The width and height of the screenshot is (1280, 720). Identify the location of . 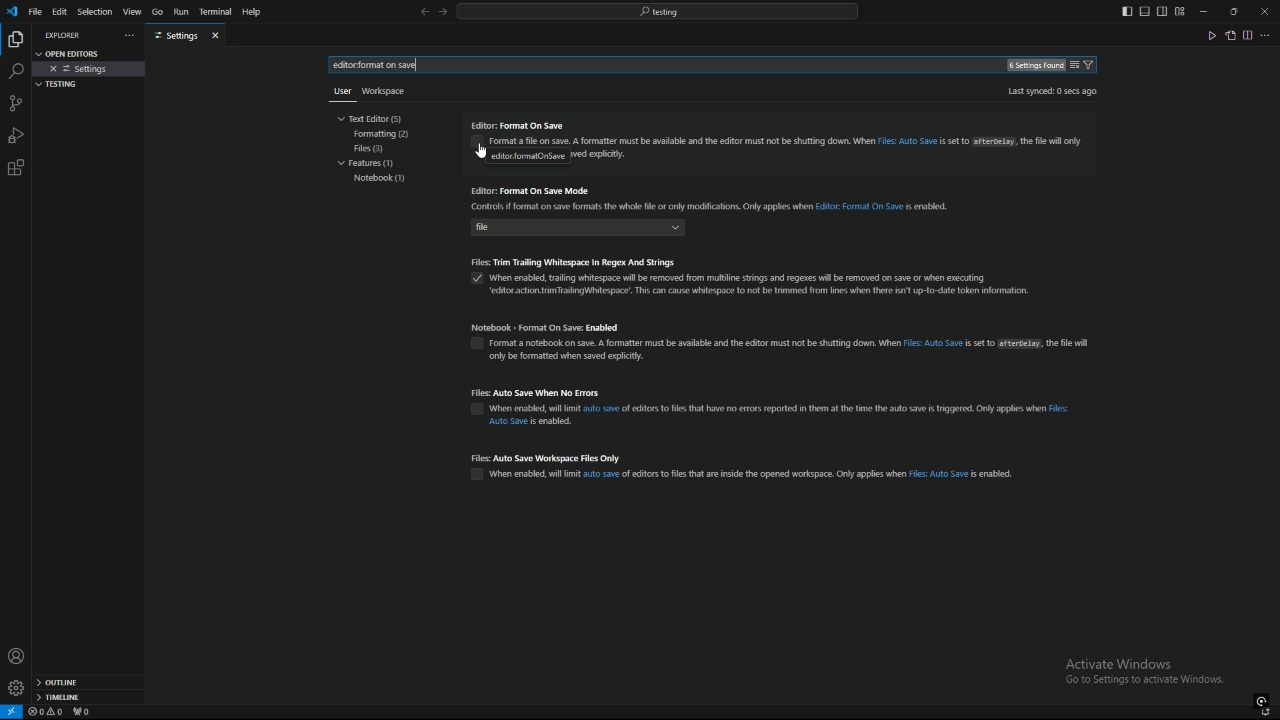
(338, 95).